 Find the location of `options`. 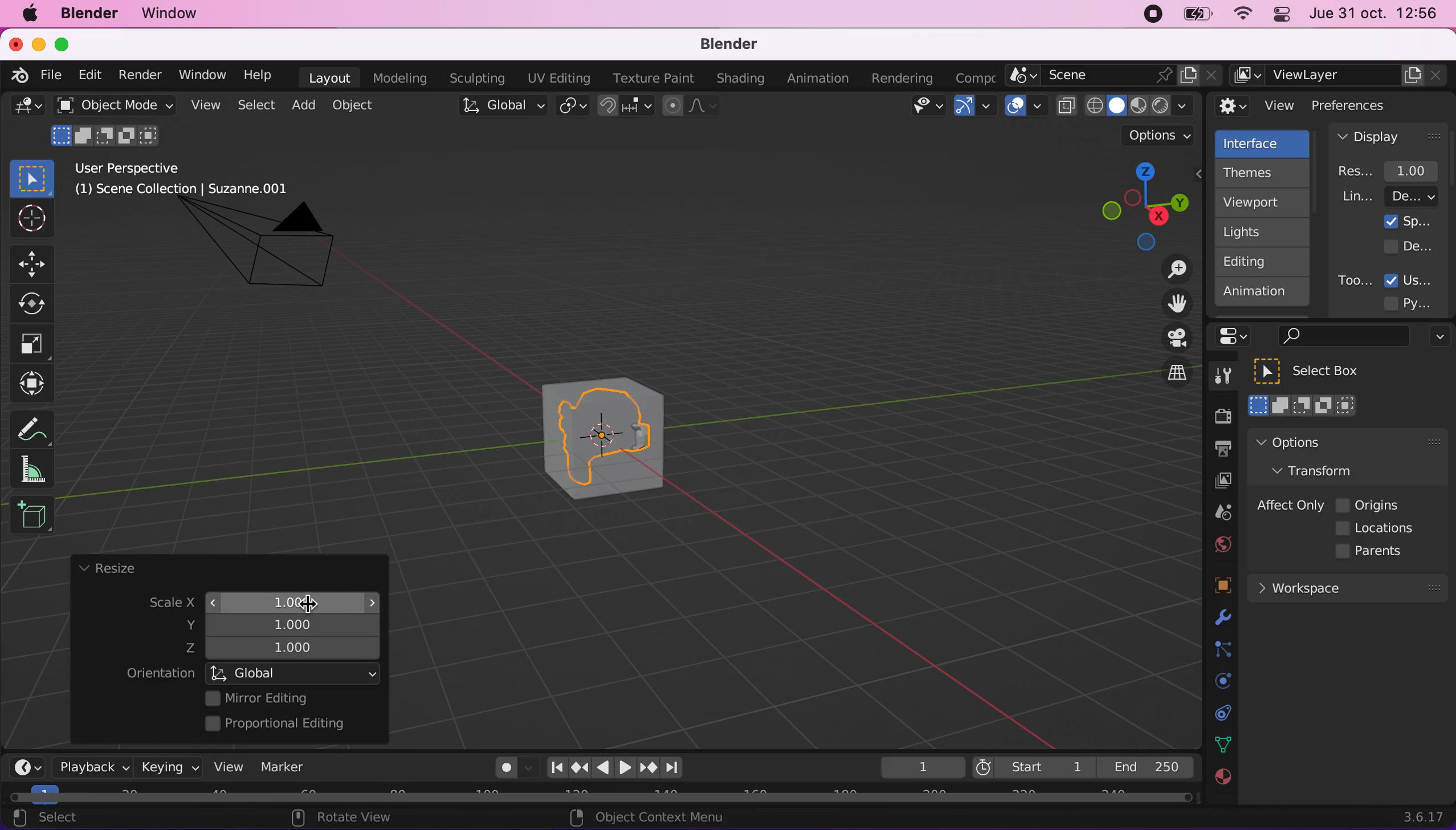

options is located at coordinates (1320, 442).